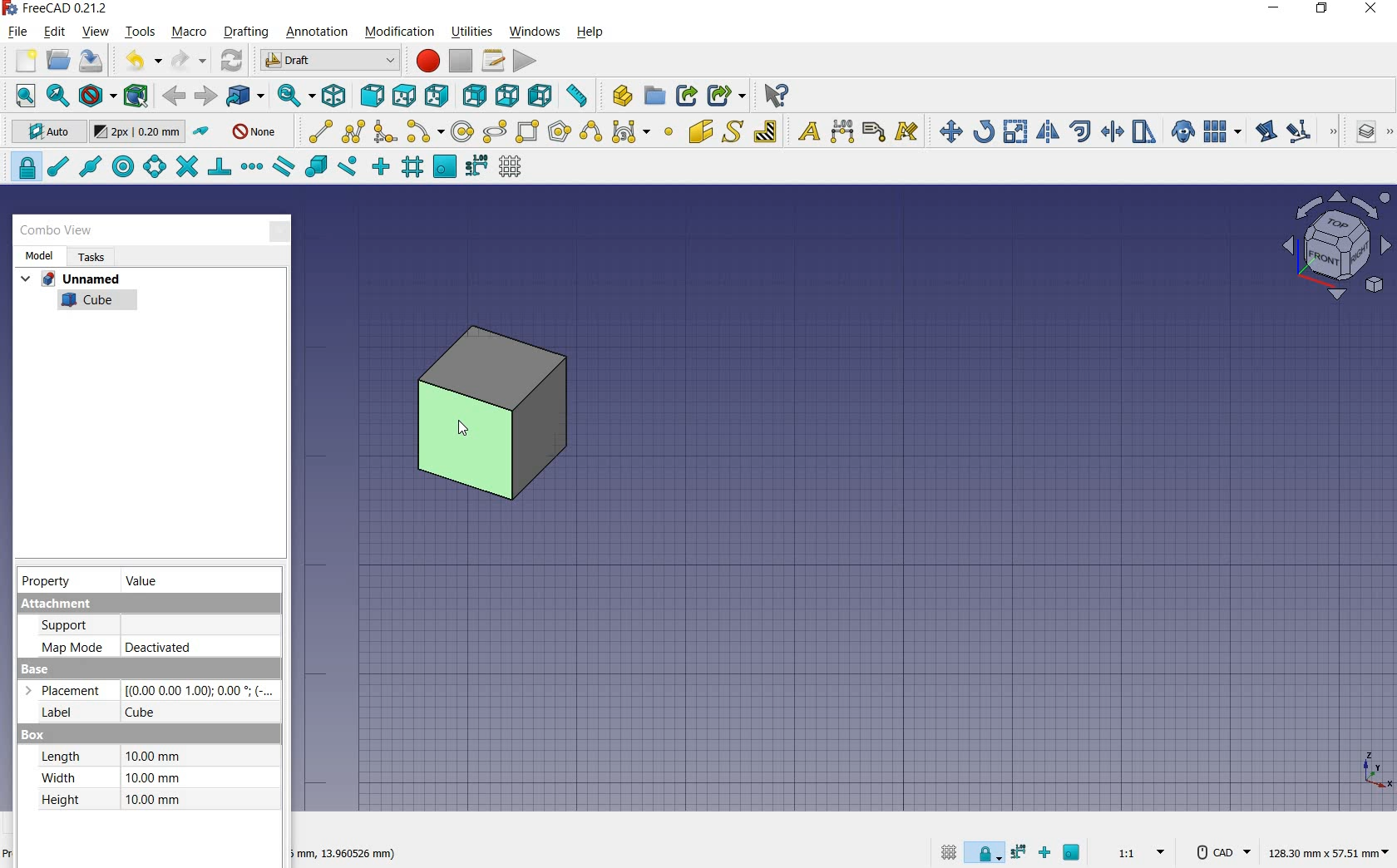 This screenshot has height=868, width=1397. Describe the element at coordinates (477, 167) in the screenshot. I see `snap dimensions` at that location.